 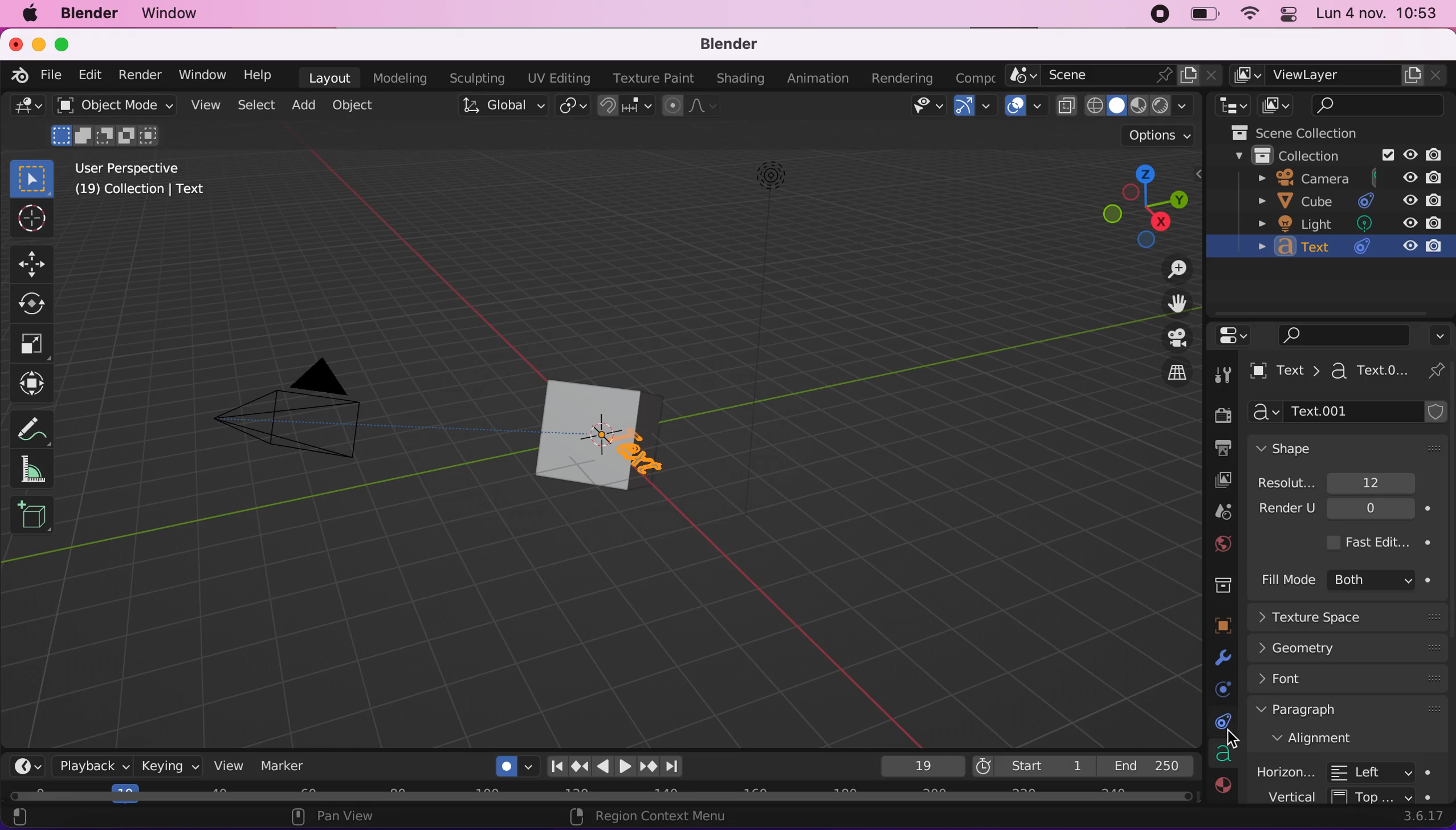 What do you see at coordinates (34, 16) in the screenshot?
I see `mac logo` at bounding box center [34, 16].